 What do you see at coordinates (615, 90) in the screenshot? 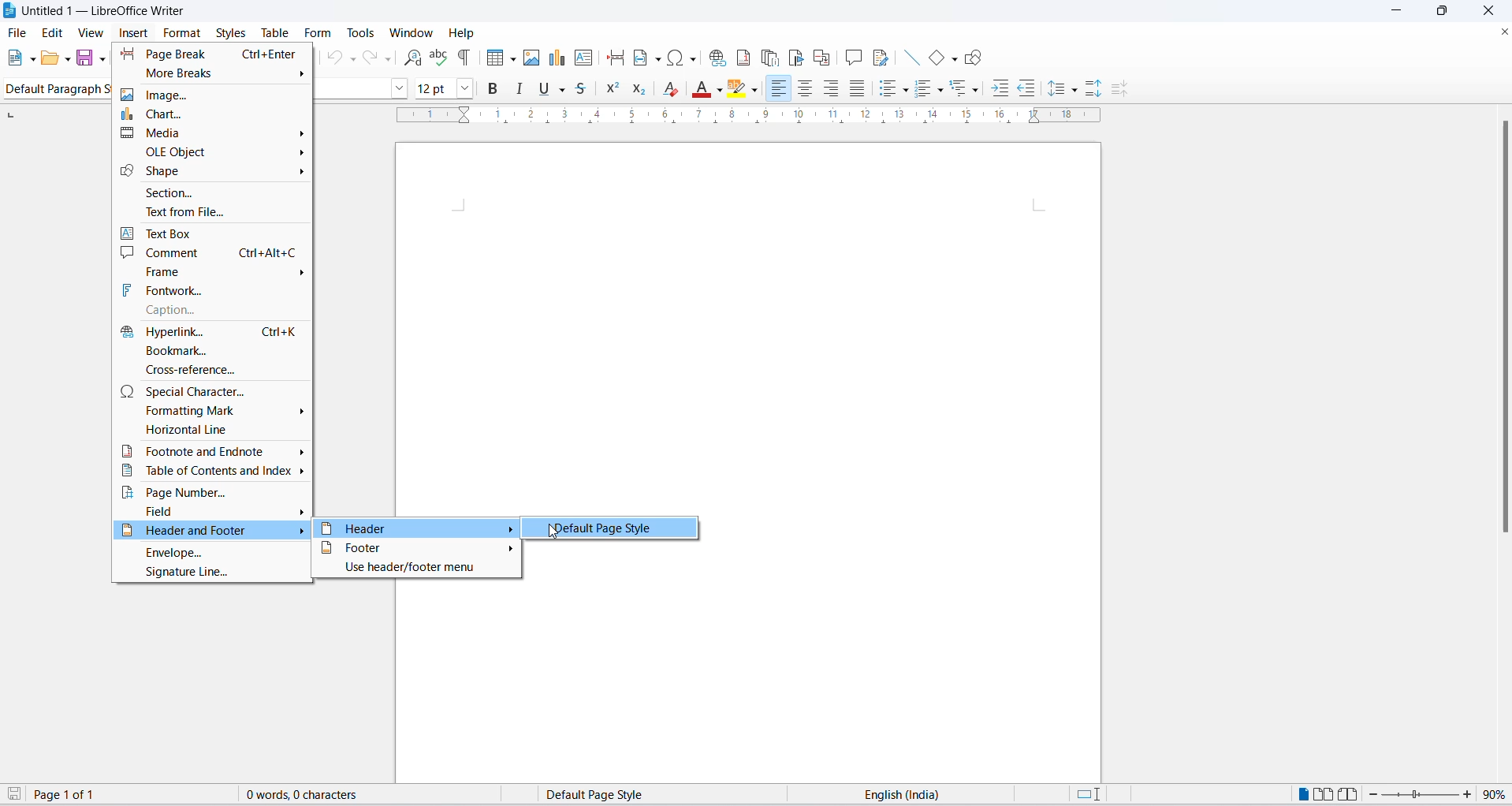
I see `superscript` at bounding box center [615, 90].